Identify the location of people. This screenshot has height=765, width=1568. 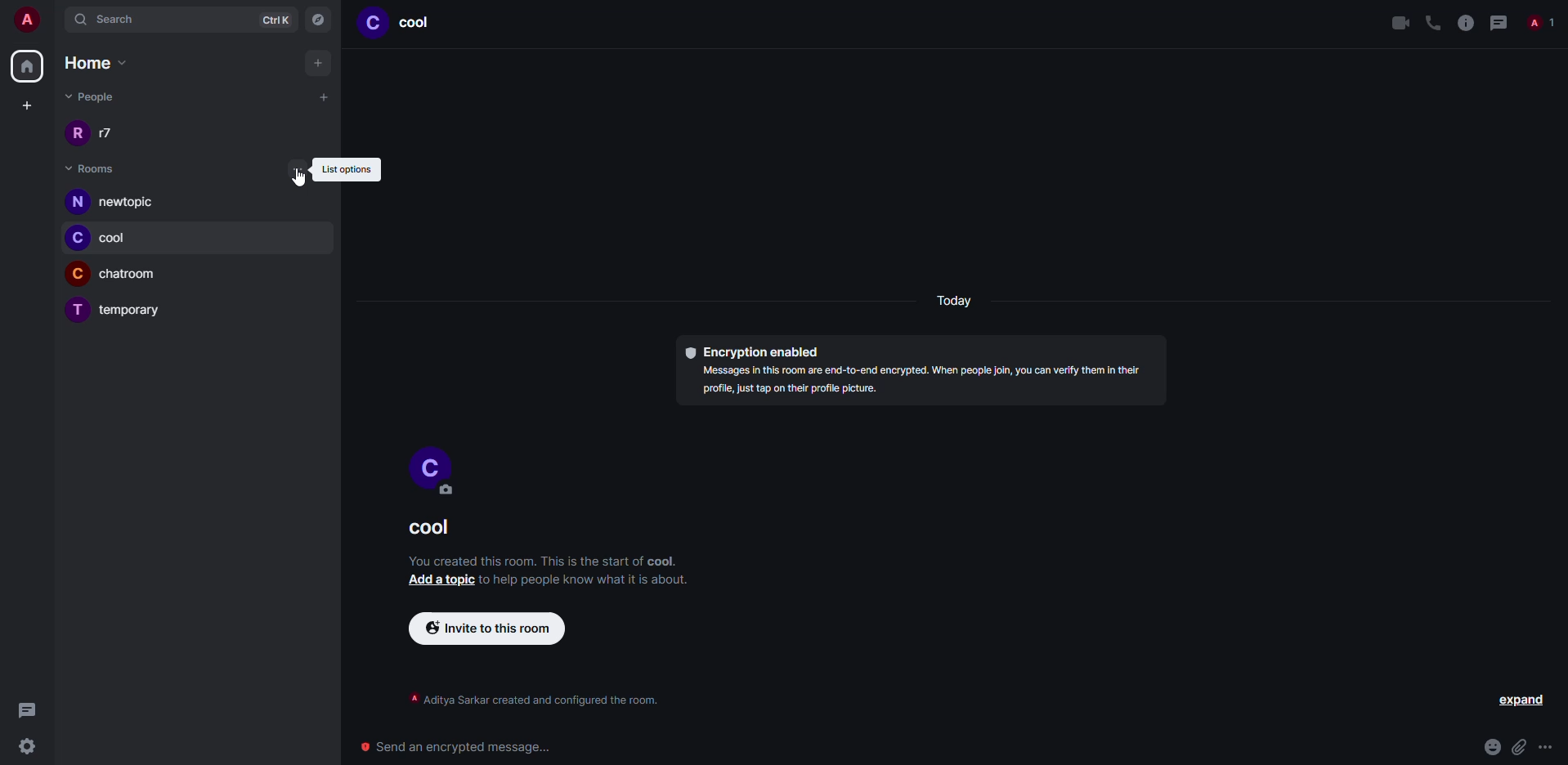
(113, 134).